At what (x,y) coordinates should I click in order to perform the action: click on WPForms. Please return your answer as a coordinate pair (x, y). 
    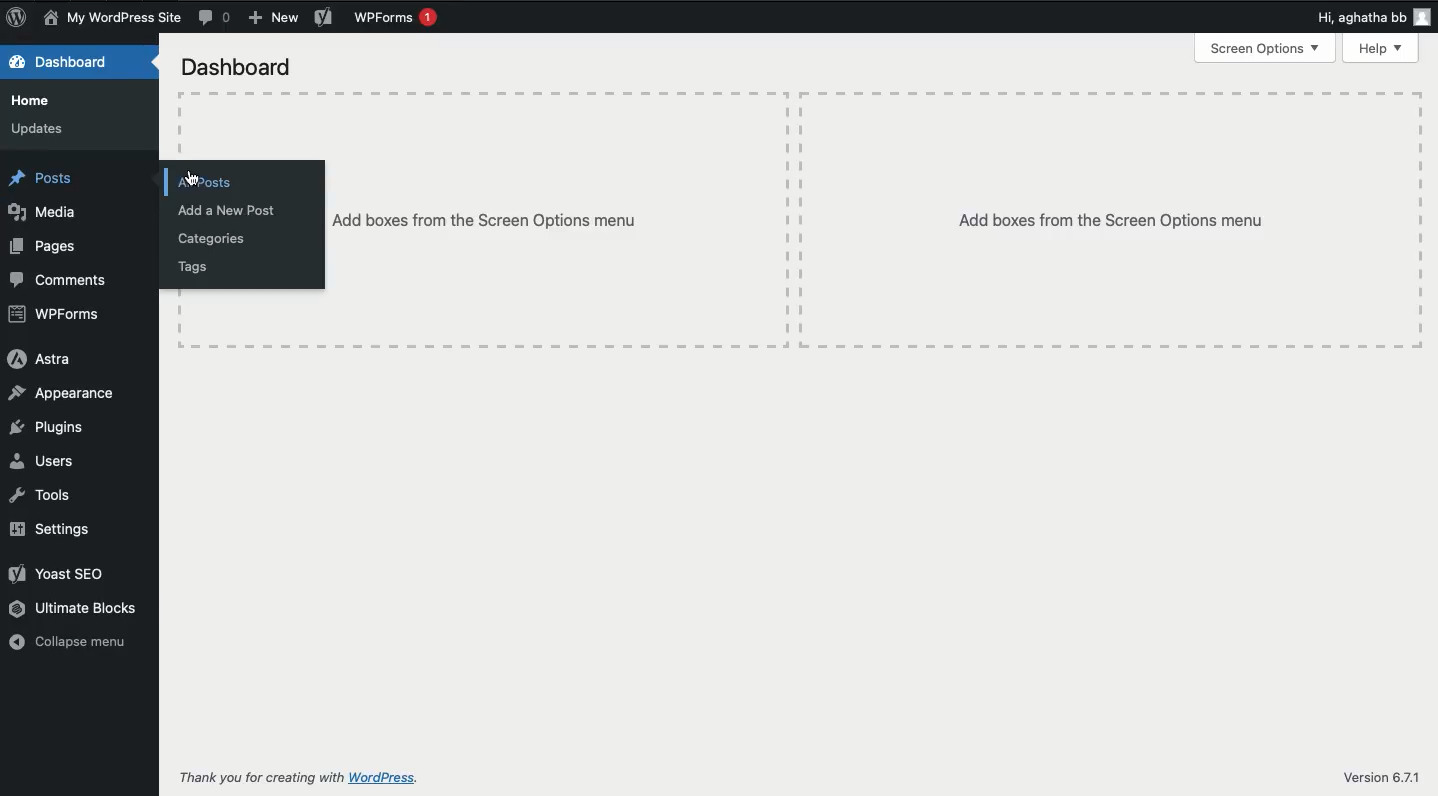
    Looking at the image, I should click on (58, 311).